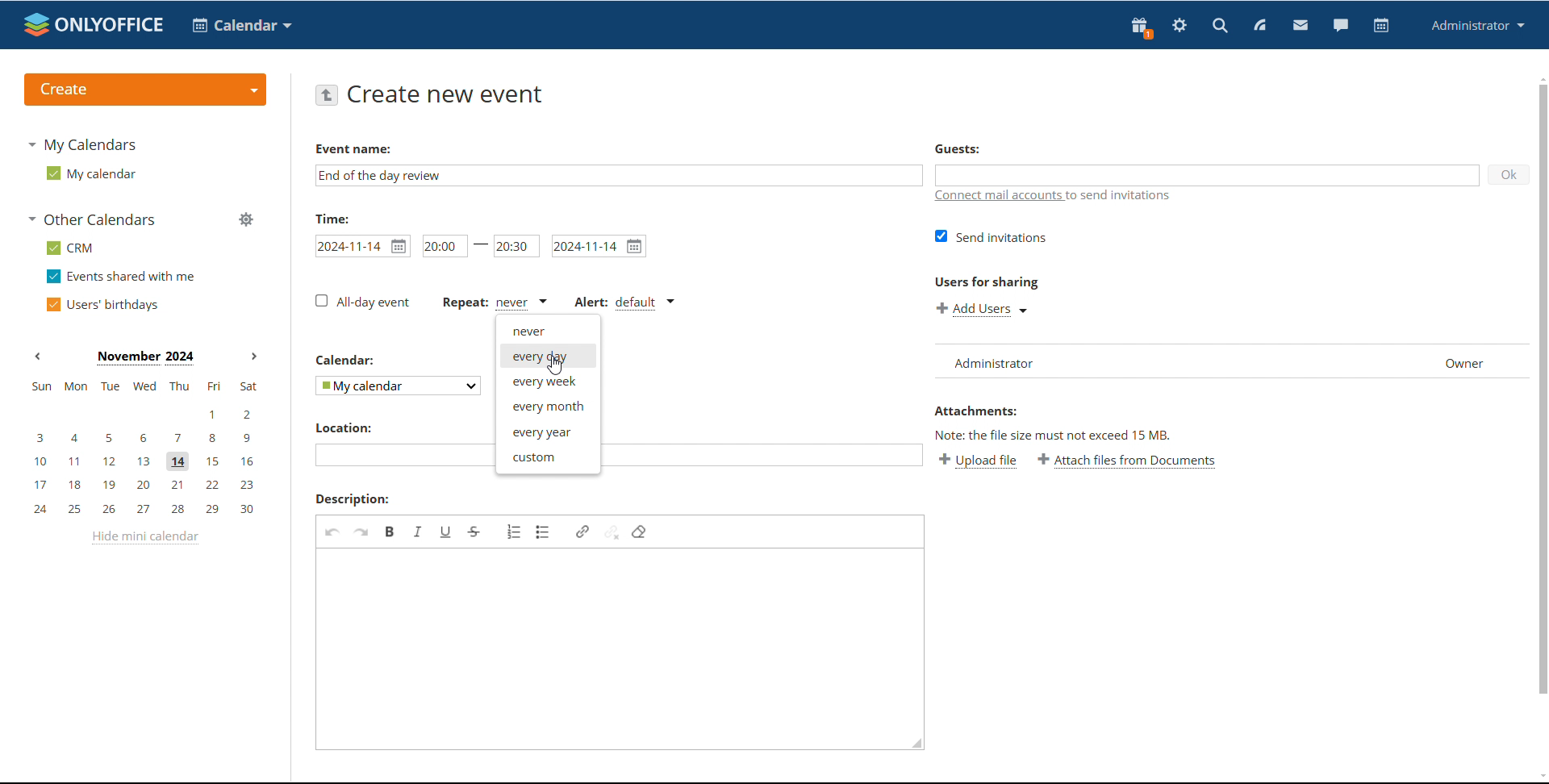 The height and width of the screenshot is (784, 1549). What do you see at coordinates (546, 383) in the screenshot?
I see `every week` at bounding box center [546, 383].